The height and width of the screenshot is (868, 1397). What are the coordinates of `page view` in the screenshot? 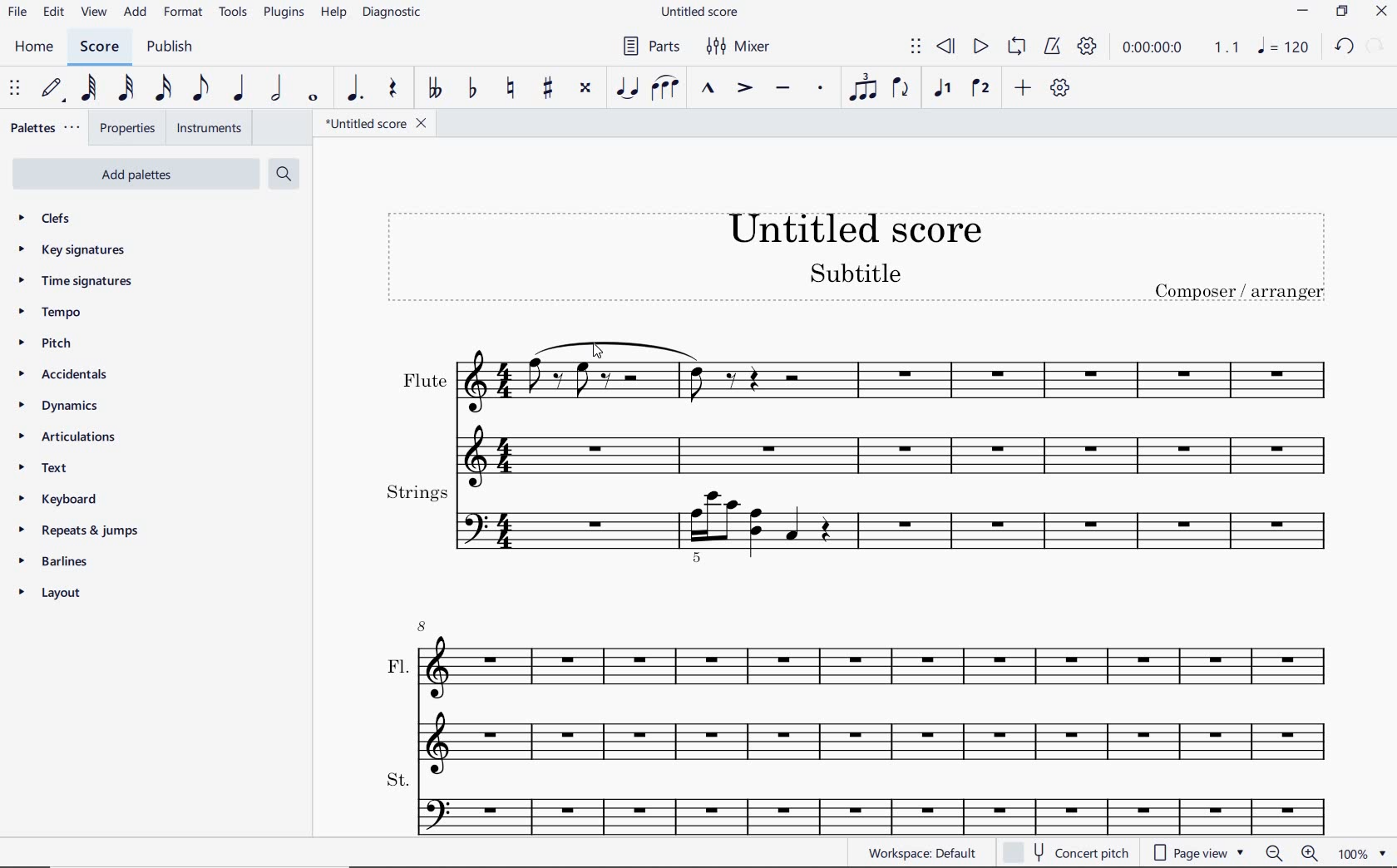 It's located at (1201, 851).